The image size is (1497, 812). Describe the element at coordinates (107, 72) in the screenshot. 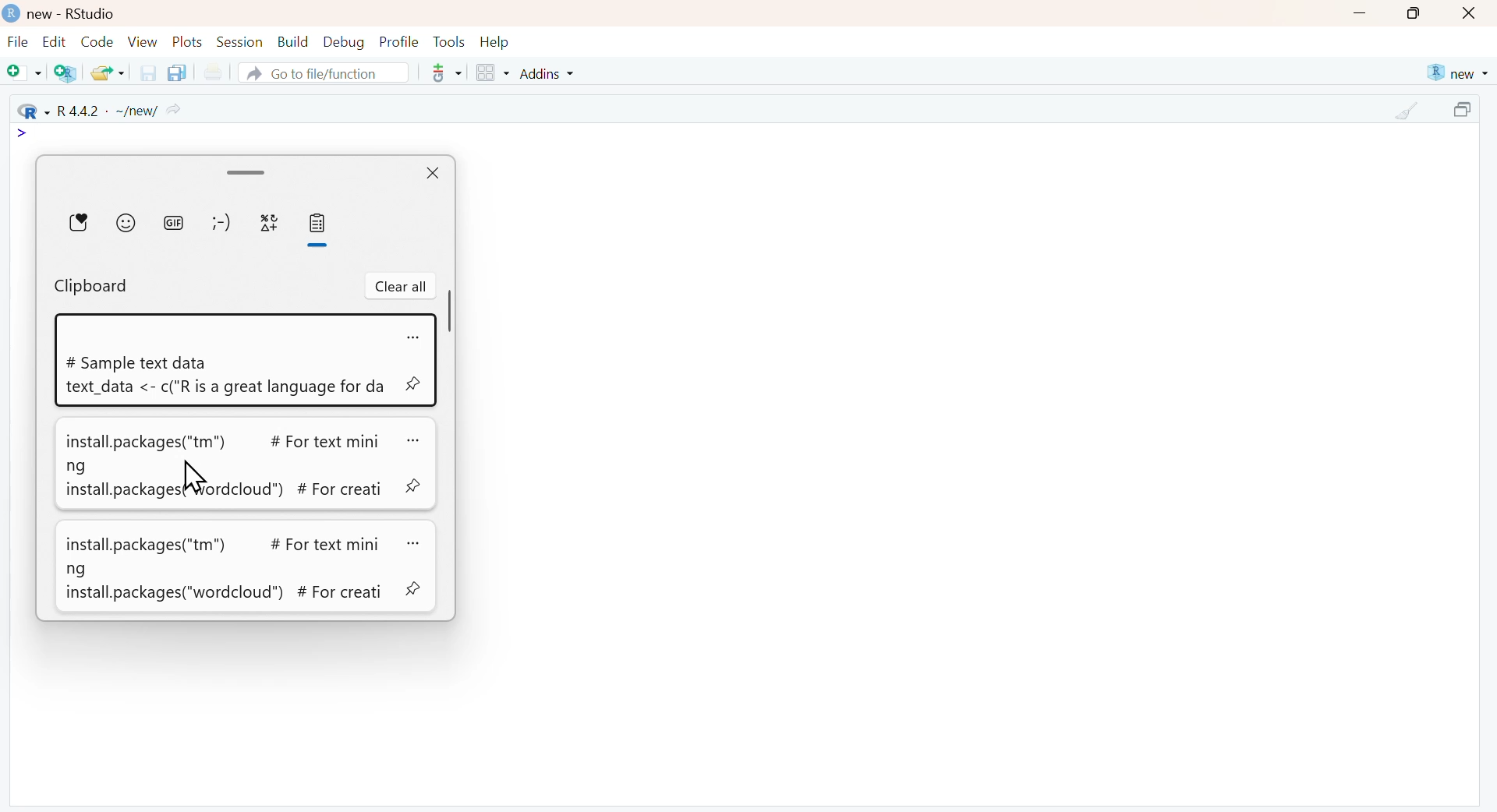

I see `Open an existing file` at that location.